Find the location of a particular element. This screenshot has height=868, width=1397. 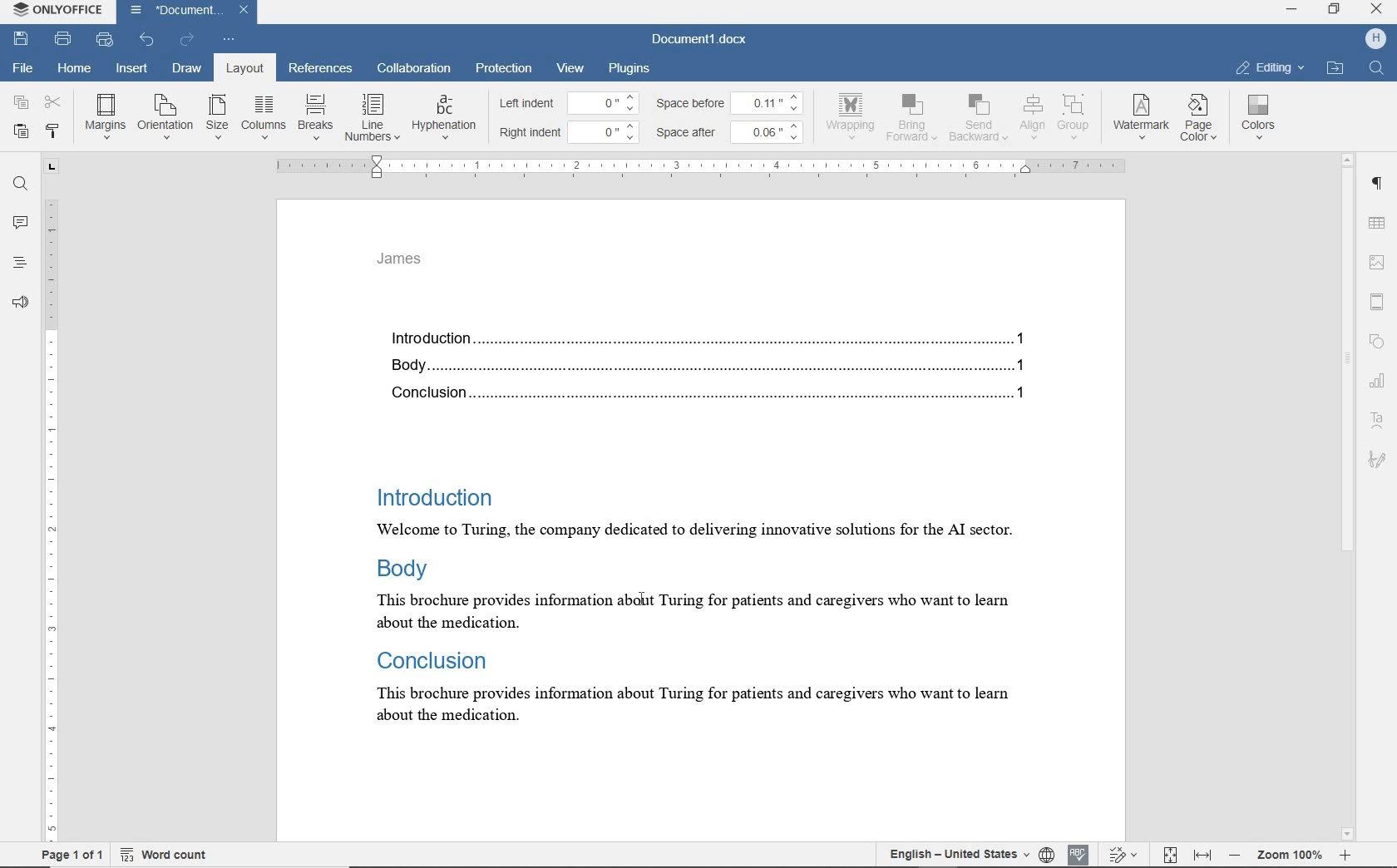

wrapping is located at coordinates (853, 116).